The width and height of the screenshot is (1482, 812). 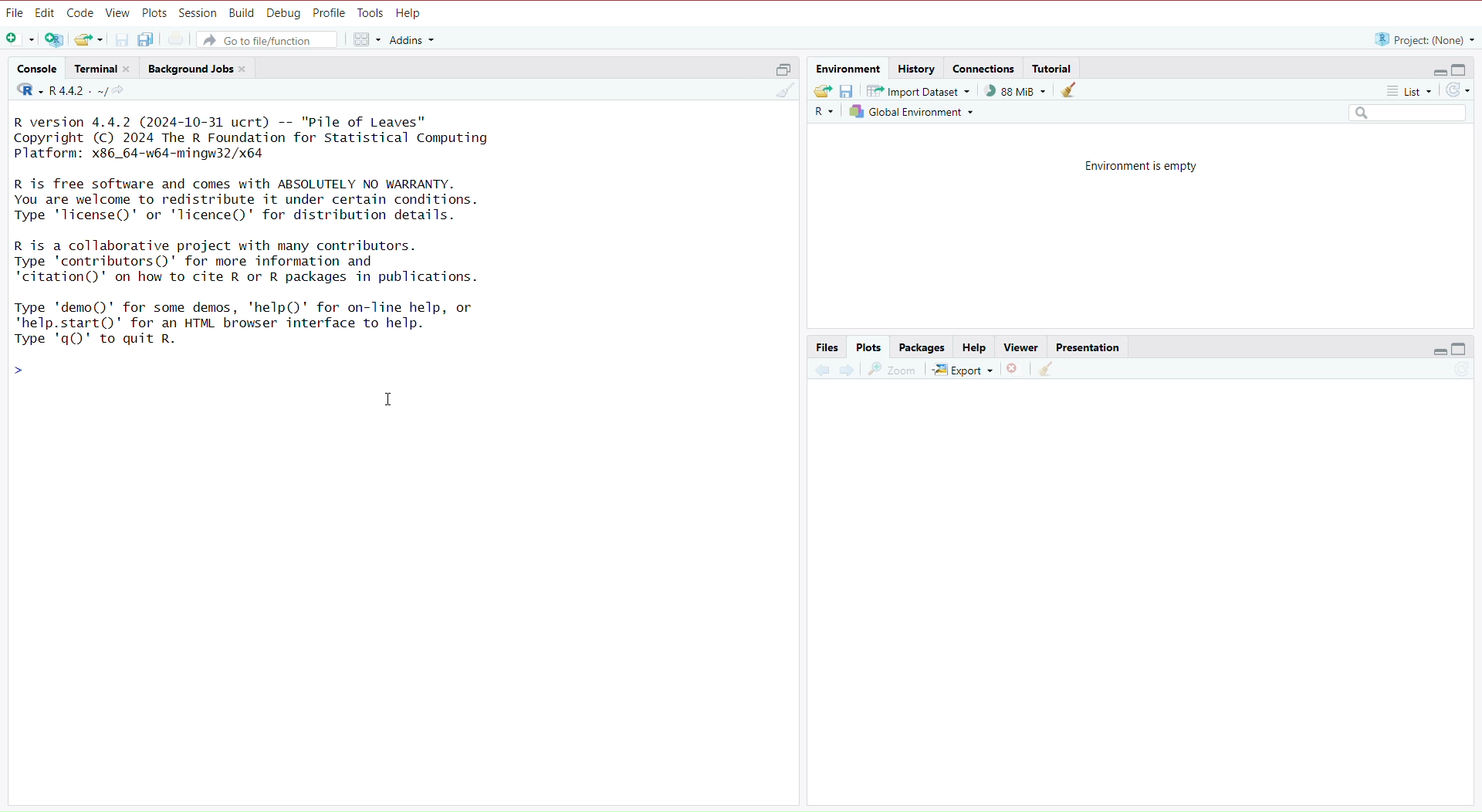 I want to click on open an existing file, so click(x=90, y=39).